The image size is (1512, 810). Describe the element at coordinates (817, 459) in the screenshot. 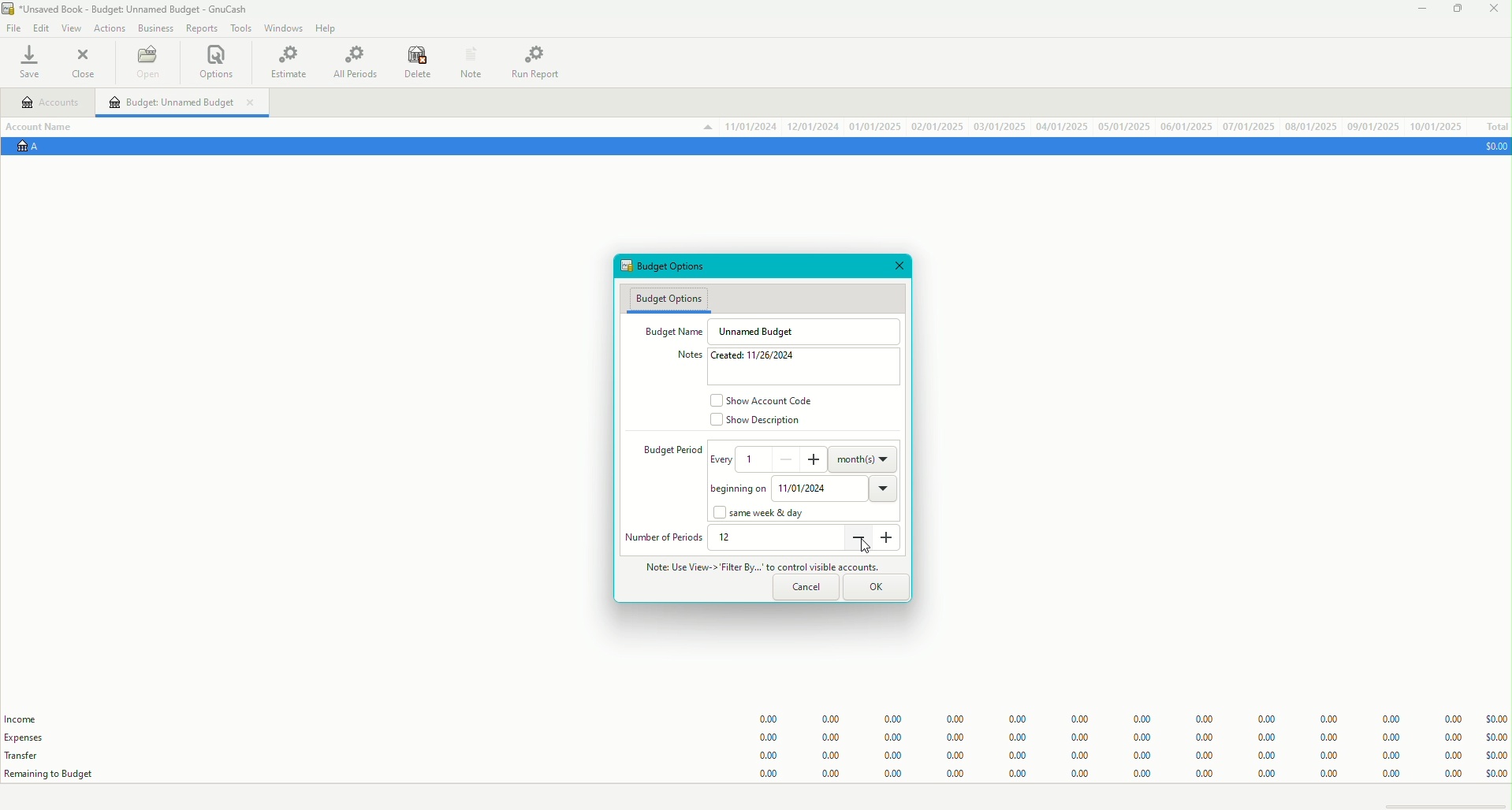

I see `increase` at that location.